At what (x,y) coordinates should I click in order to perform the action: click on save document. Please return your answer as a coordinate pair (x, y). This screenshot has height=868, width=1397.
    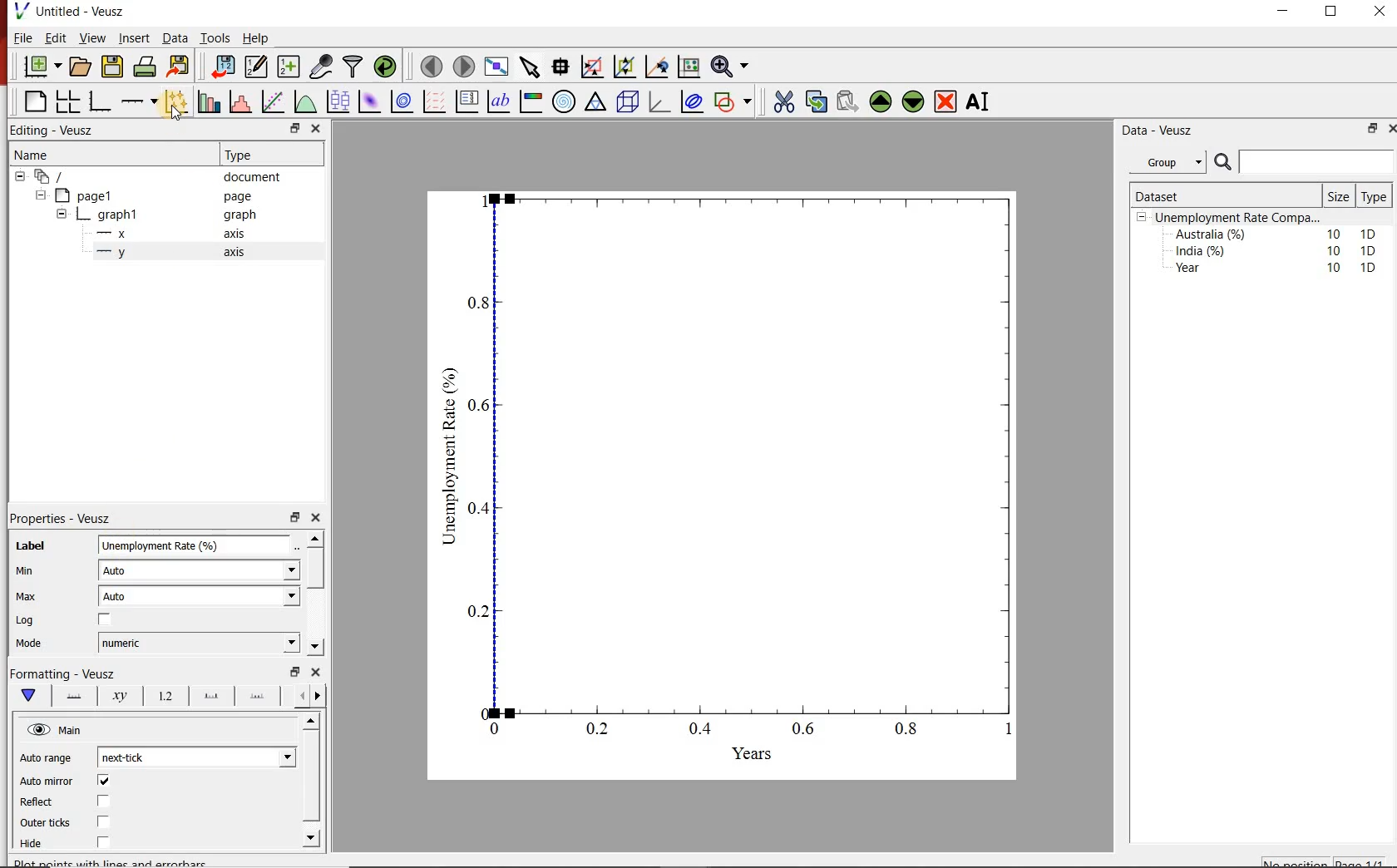
    Looking at the image, I should click on (112, 66).